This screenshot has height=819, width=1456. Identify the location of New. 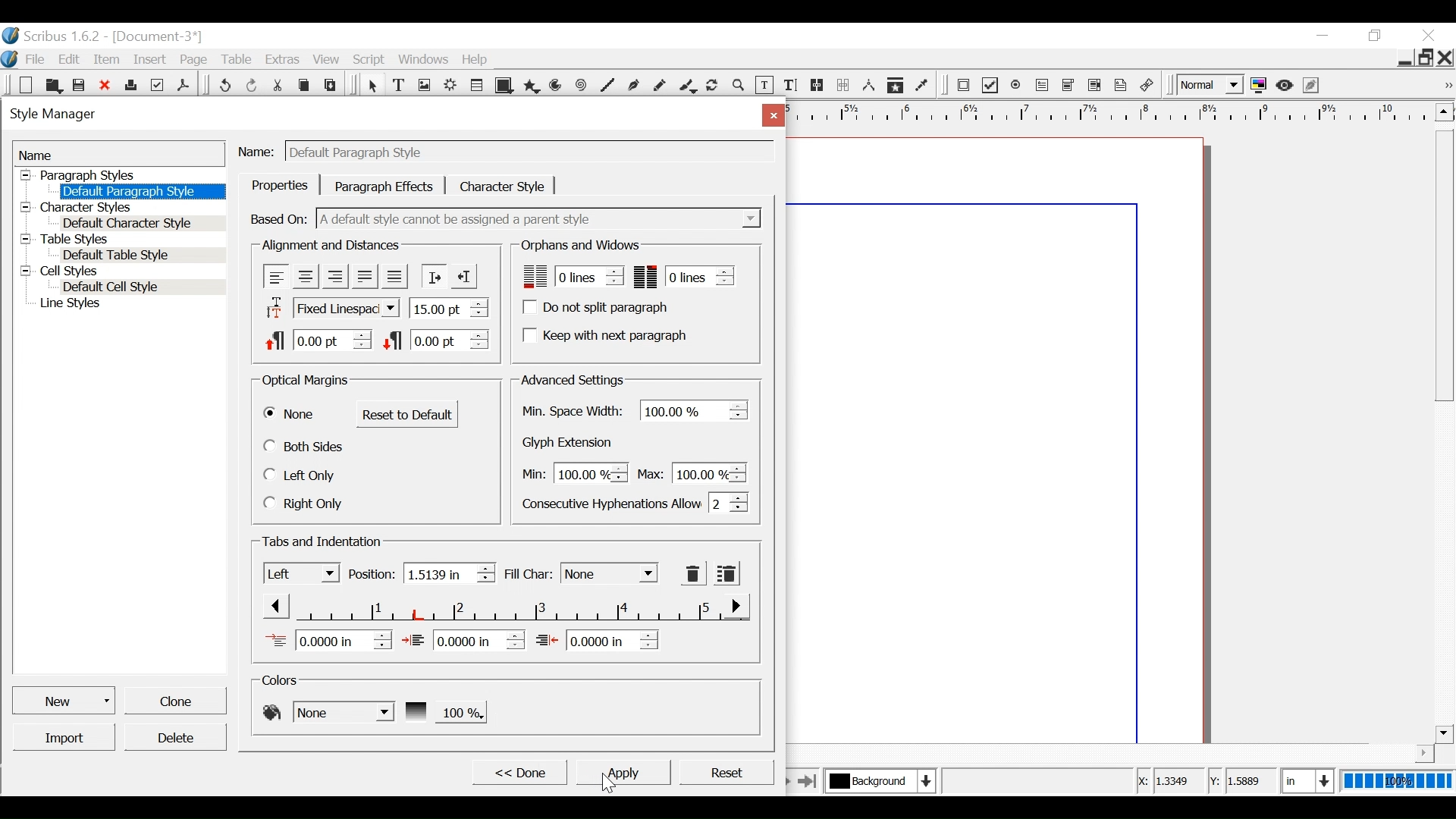
(27, 85).